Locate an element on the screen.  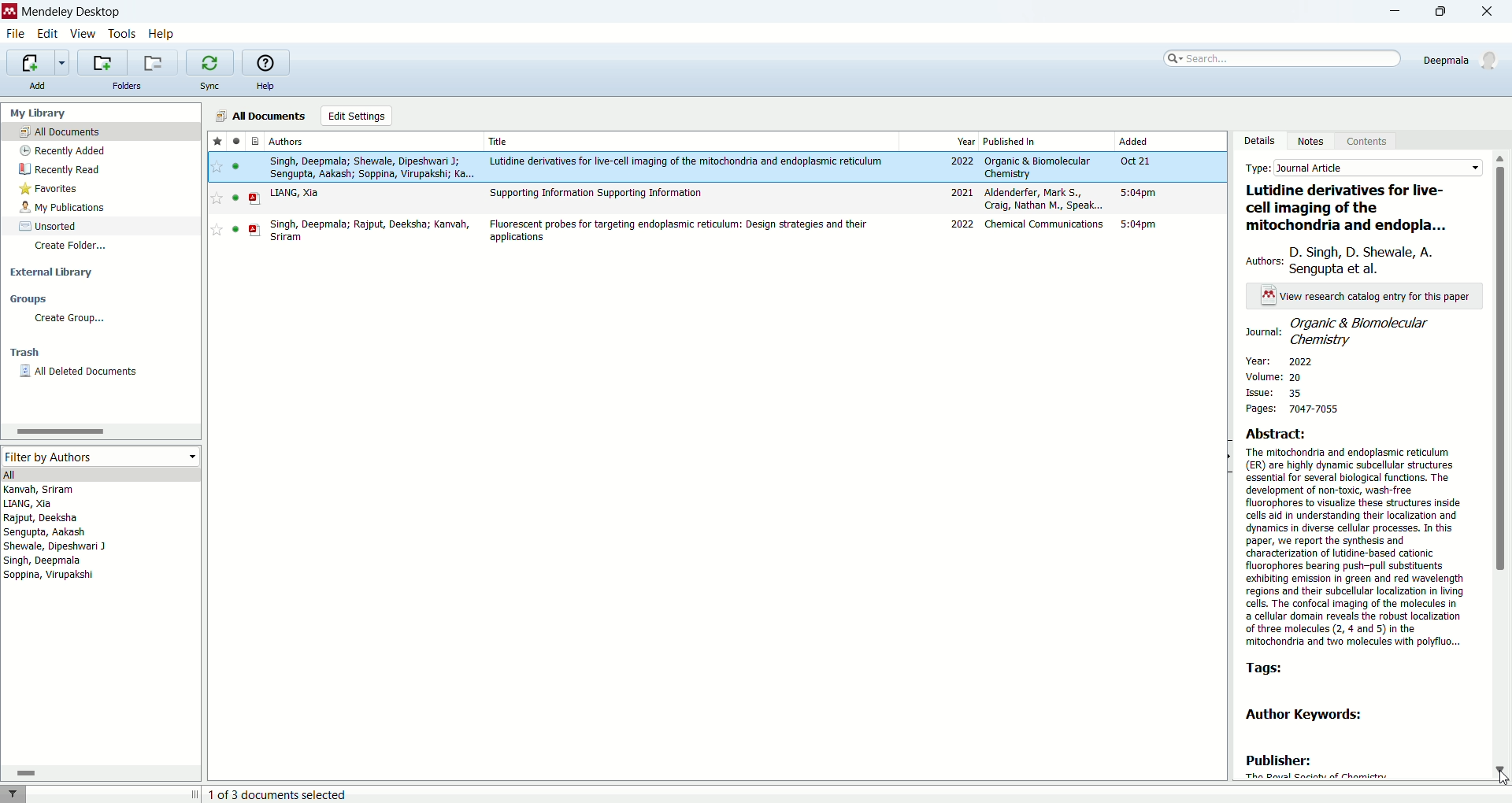
filter is located at coordinates (13, 794).